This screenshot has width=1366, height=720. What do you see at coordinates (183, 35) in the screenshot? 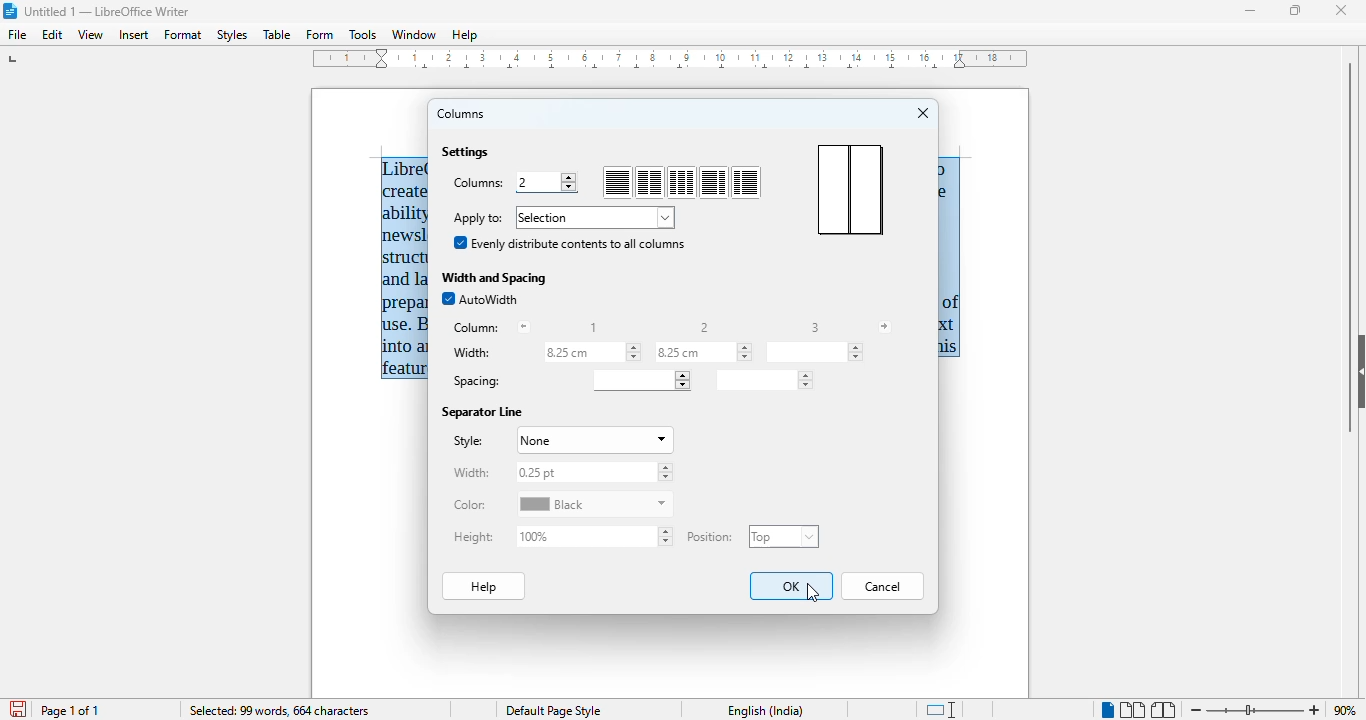
I see `format` at bounding box center [183, 35].